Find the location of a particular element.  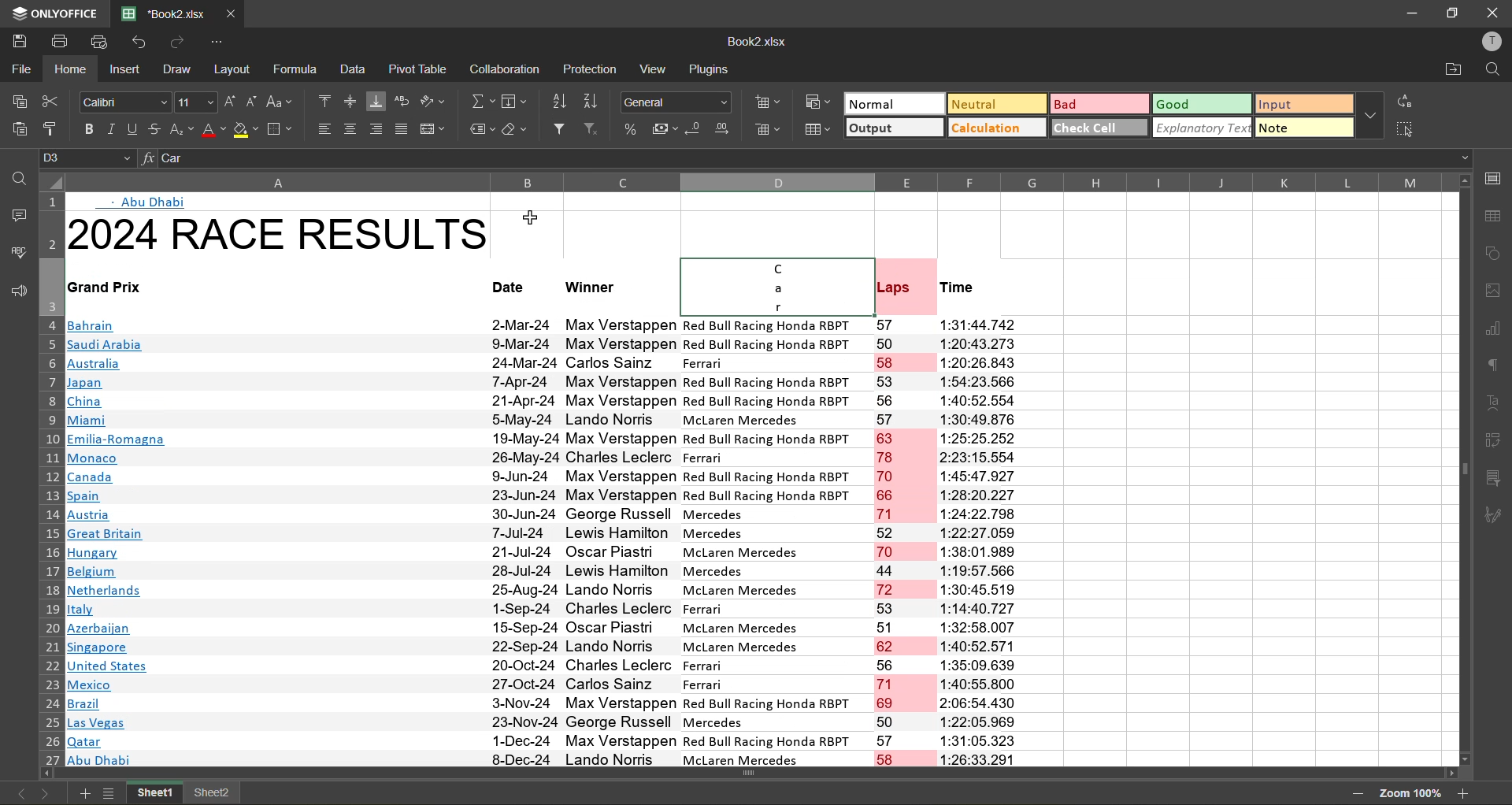

formula is located at coordinates (296, 71).